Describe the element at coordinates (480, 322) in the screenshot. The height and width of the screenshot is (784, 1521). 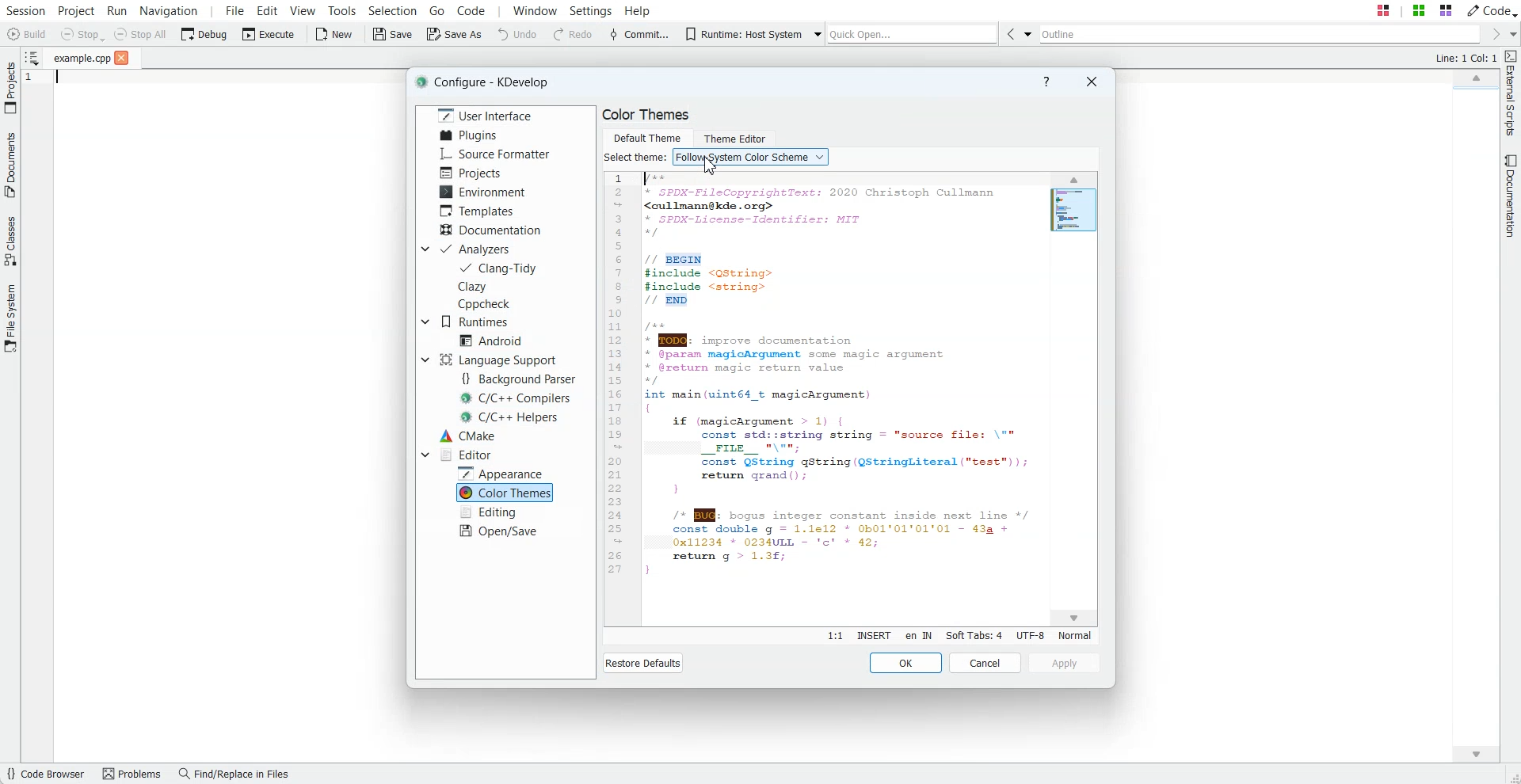
I see `Runtimes` at that location.